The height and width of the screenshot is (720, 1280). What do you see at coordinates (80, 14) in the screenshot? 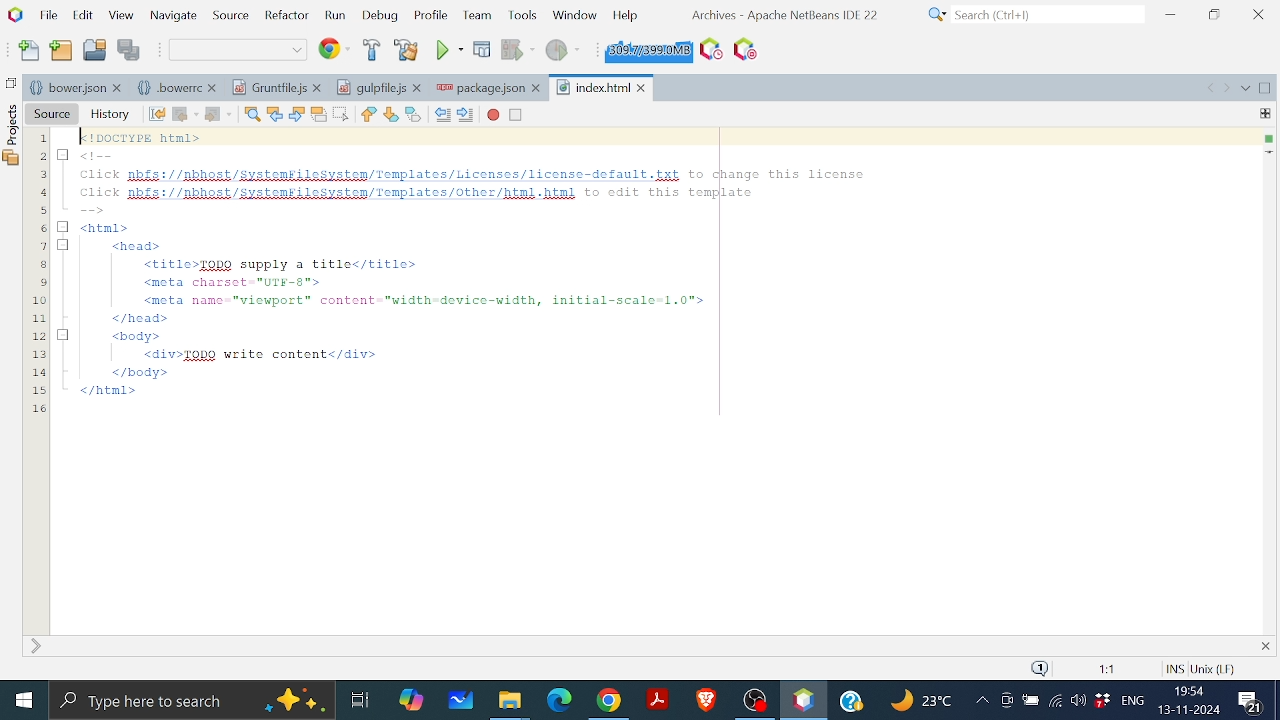
I see `Edit` at bounding box center [80, 14].